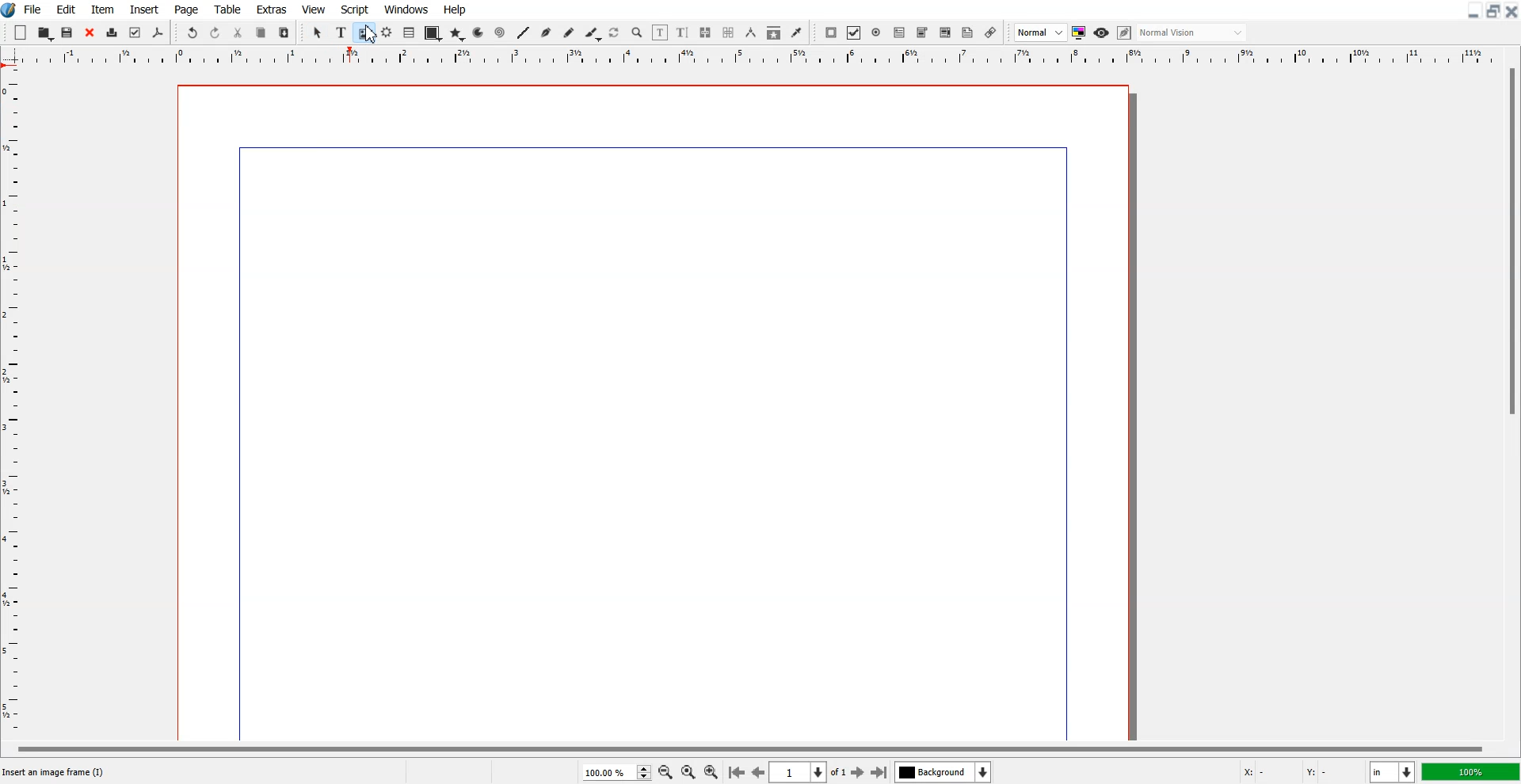 The height and width of the screenshot is (784, 1521). Describe the element at coordinates (665, 771) in the screenshot. I see `Zoom Out` at that location.